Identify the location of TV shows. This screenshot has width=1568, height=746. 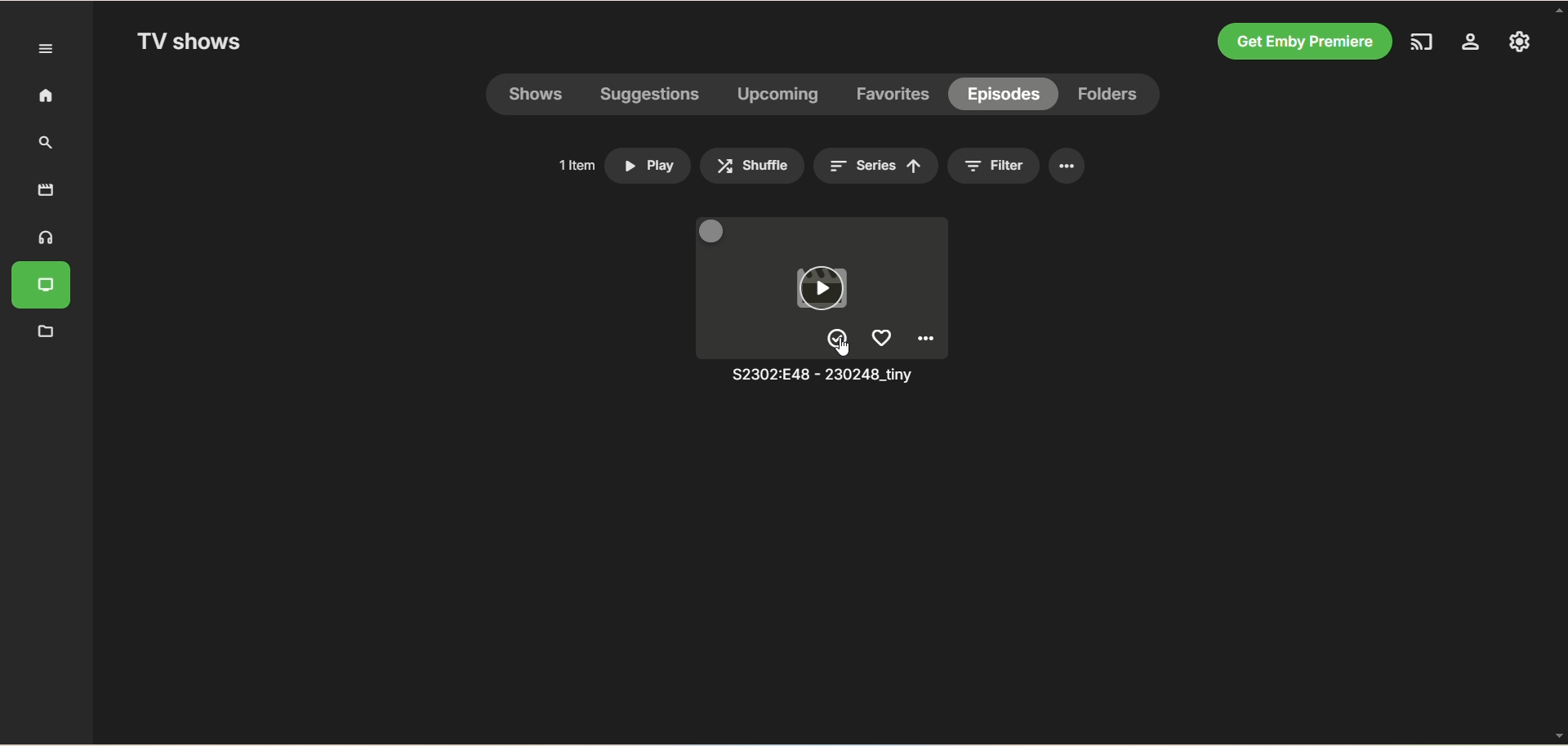
(192, 43).